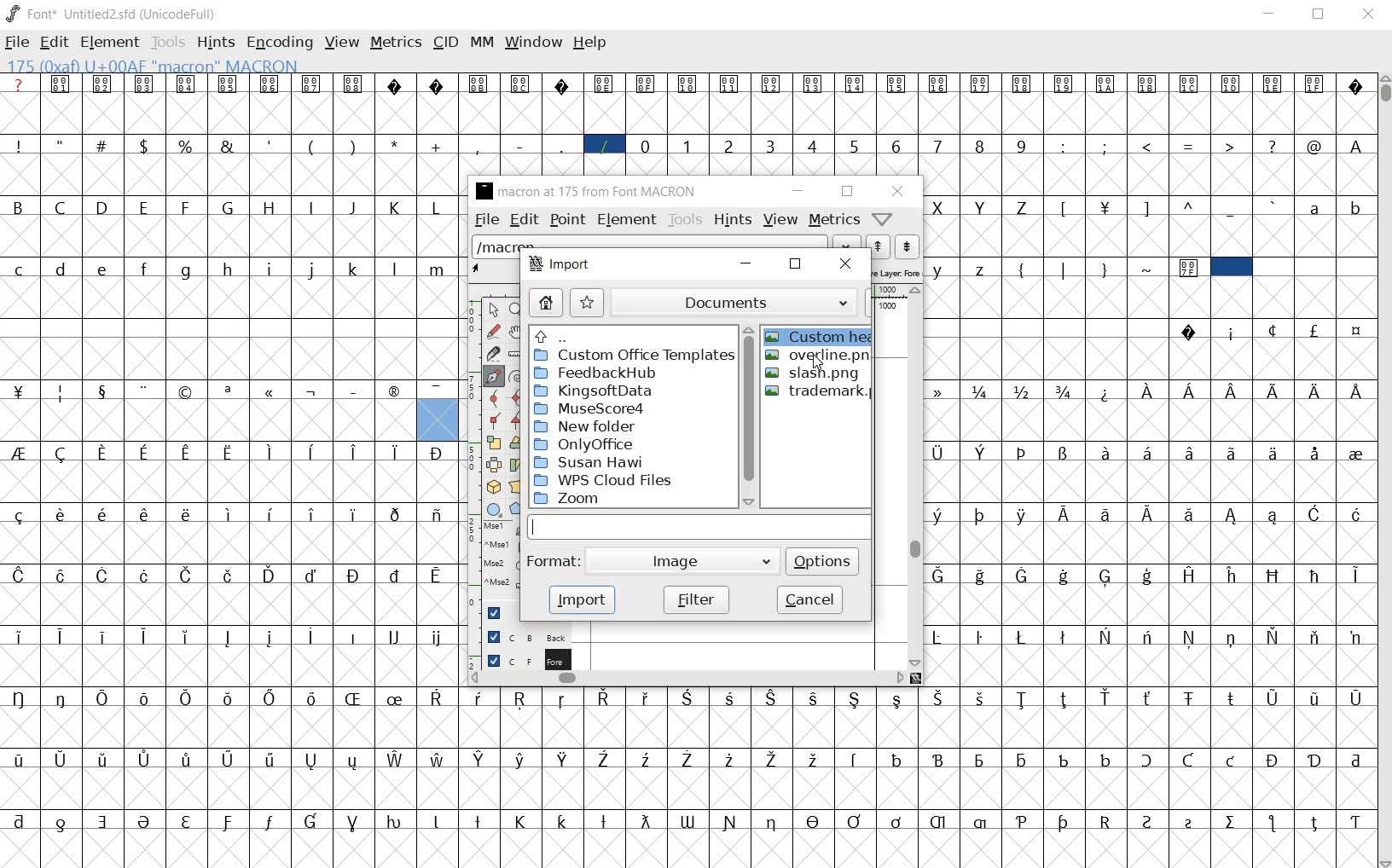  I want to click on Symbol, so click(937, 819).